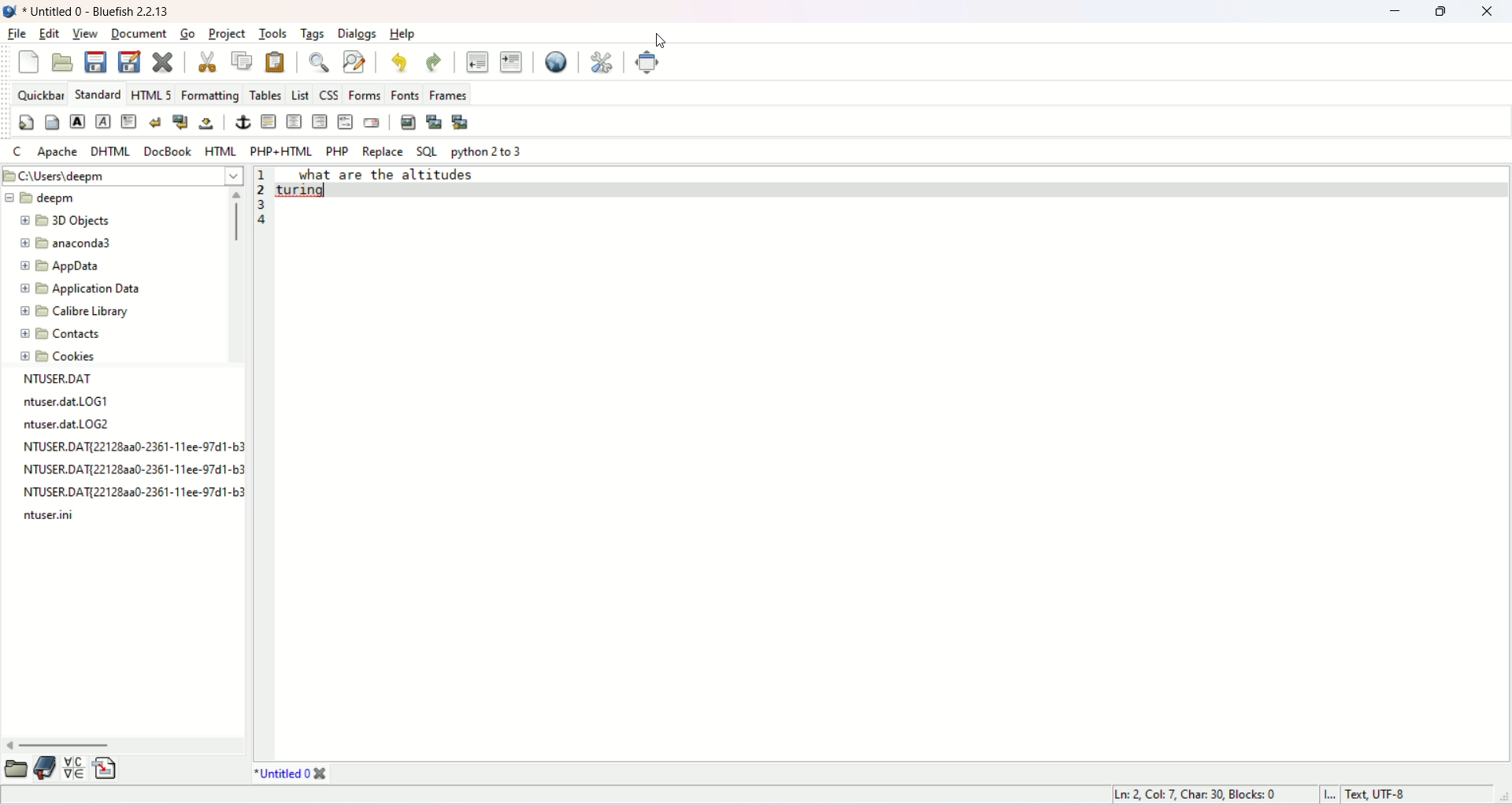  What do you see at coordinates (131, 121) in the screenshot?
I see `paragraph` at bounding box center [131, 121].